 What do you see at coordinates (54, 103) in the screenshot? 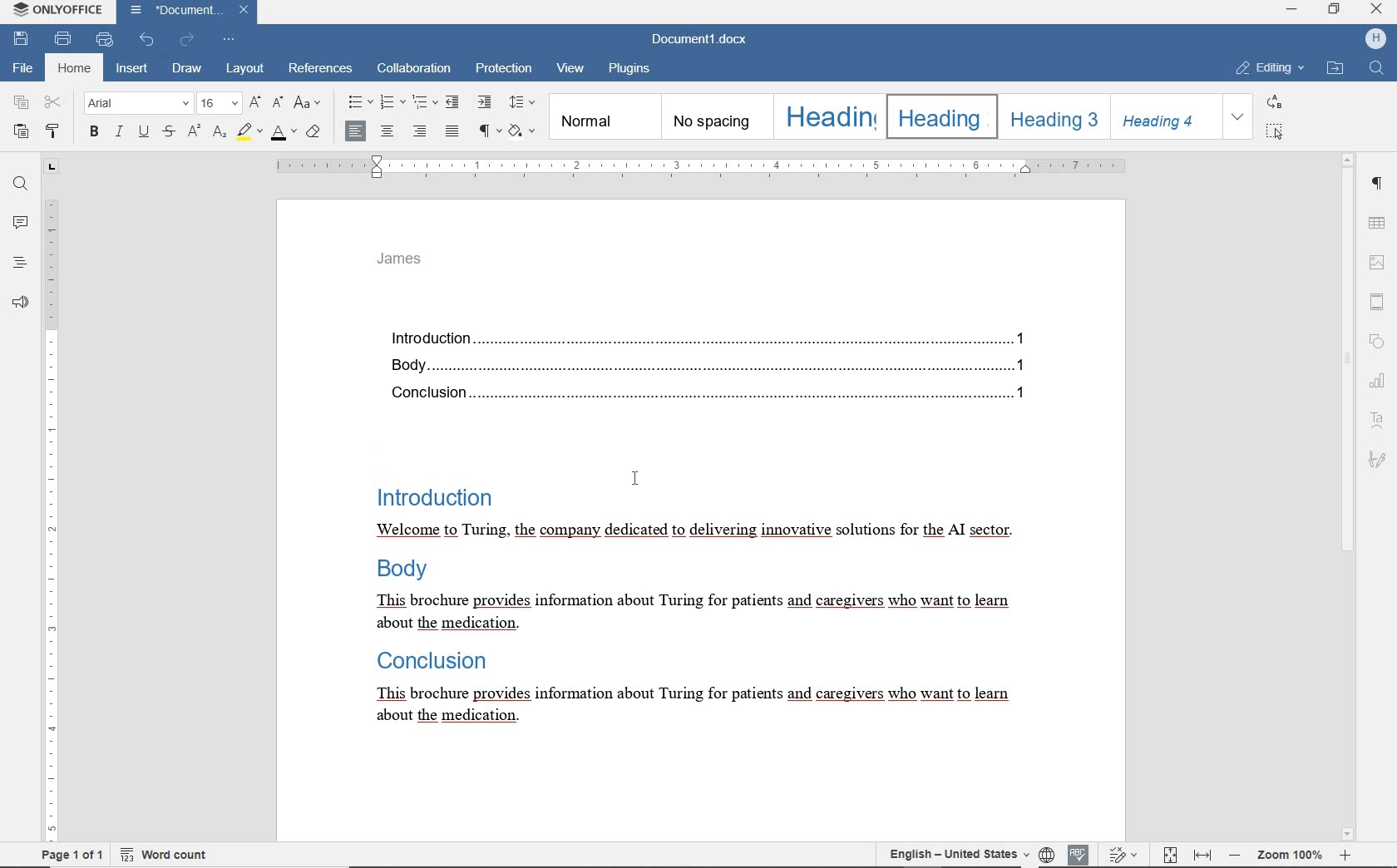
I see `cut` at bounding box center [54, 103].